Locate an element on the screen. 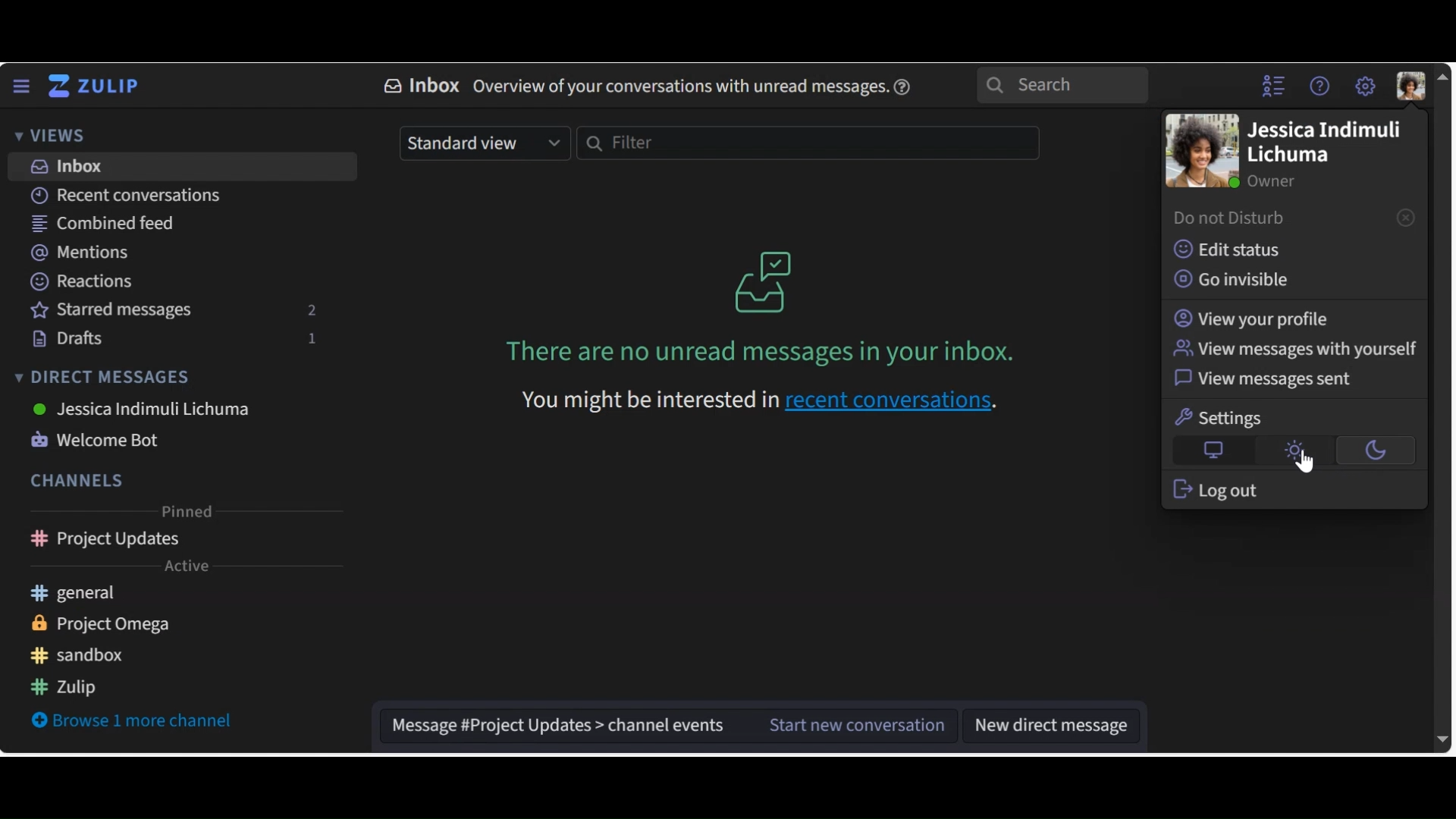  general is located at coordinates (95, 595).